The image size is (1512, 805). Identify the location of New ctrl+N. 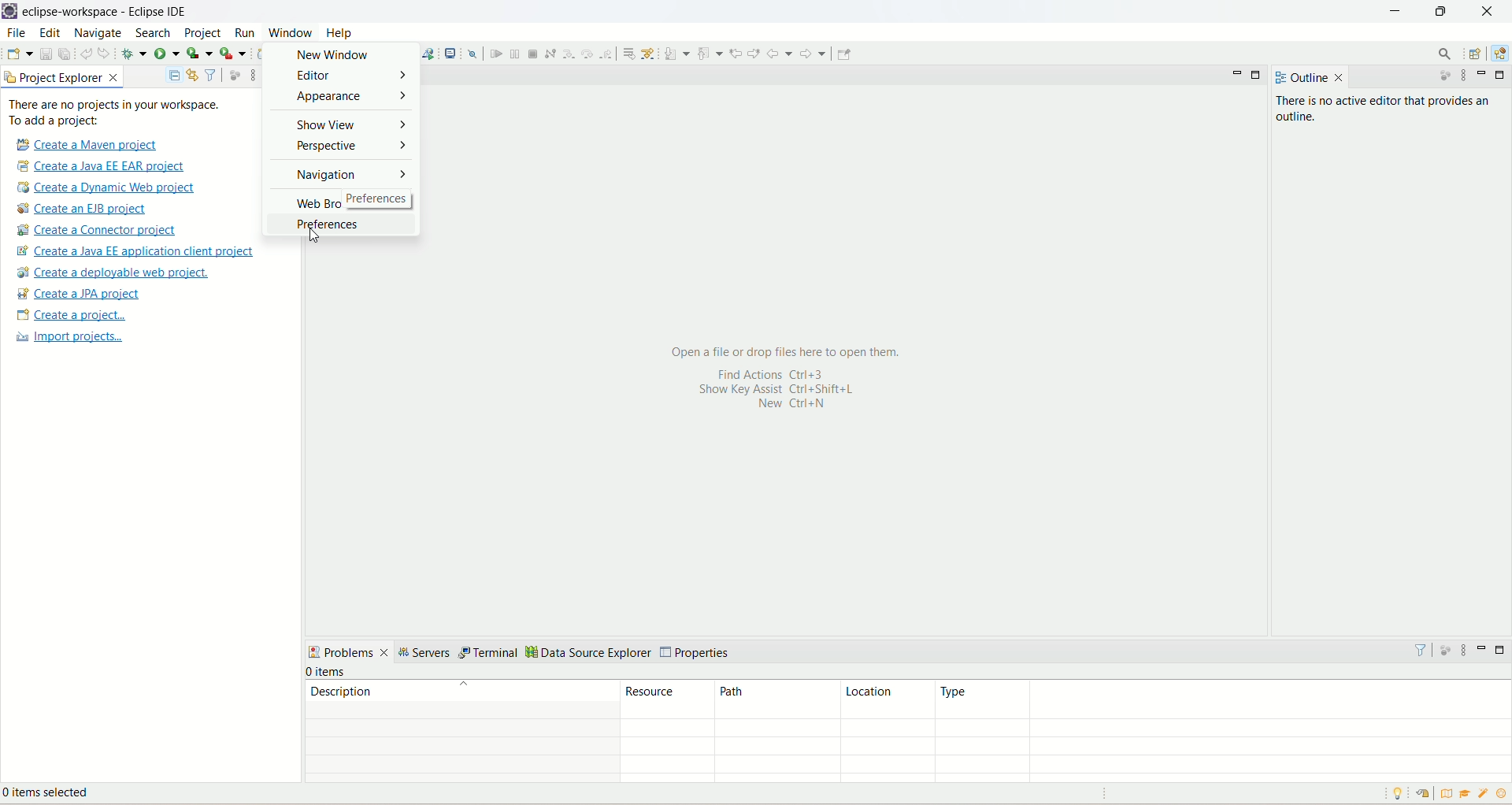
(784, 406).